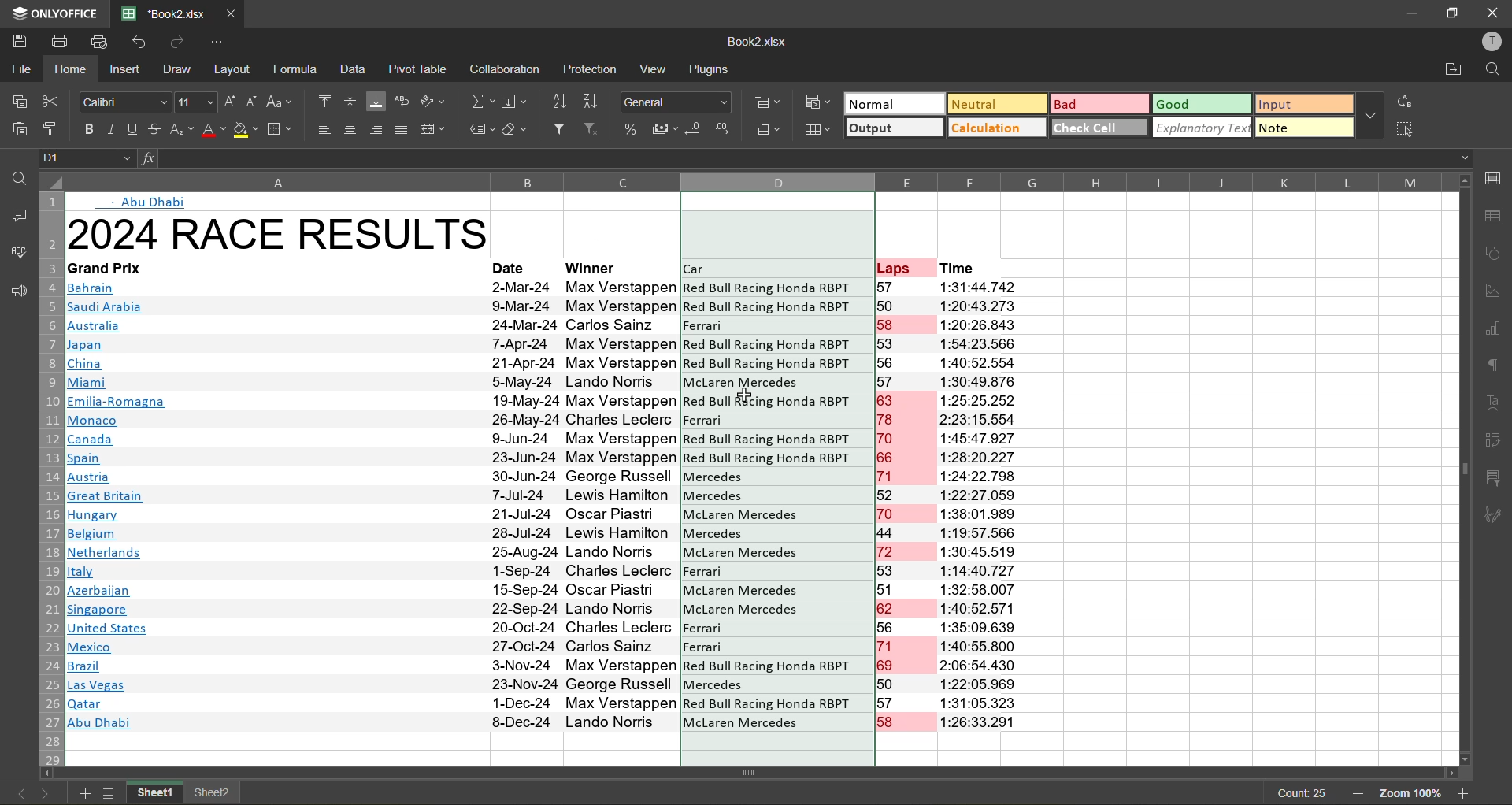  I want to click on format cleared, so click(776, 211).